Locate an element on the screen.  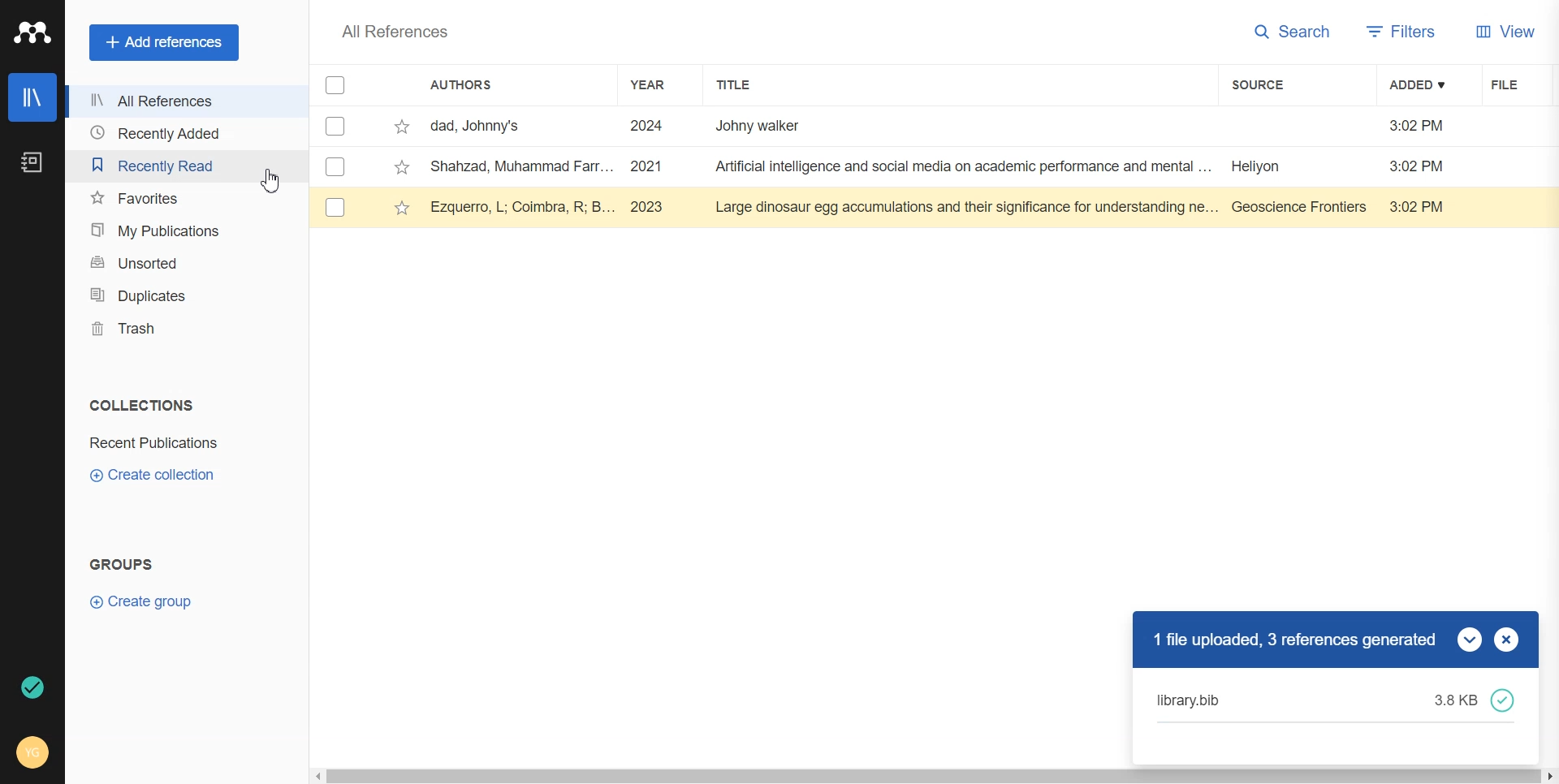
Groups is located at coordinates (123, 563).